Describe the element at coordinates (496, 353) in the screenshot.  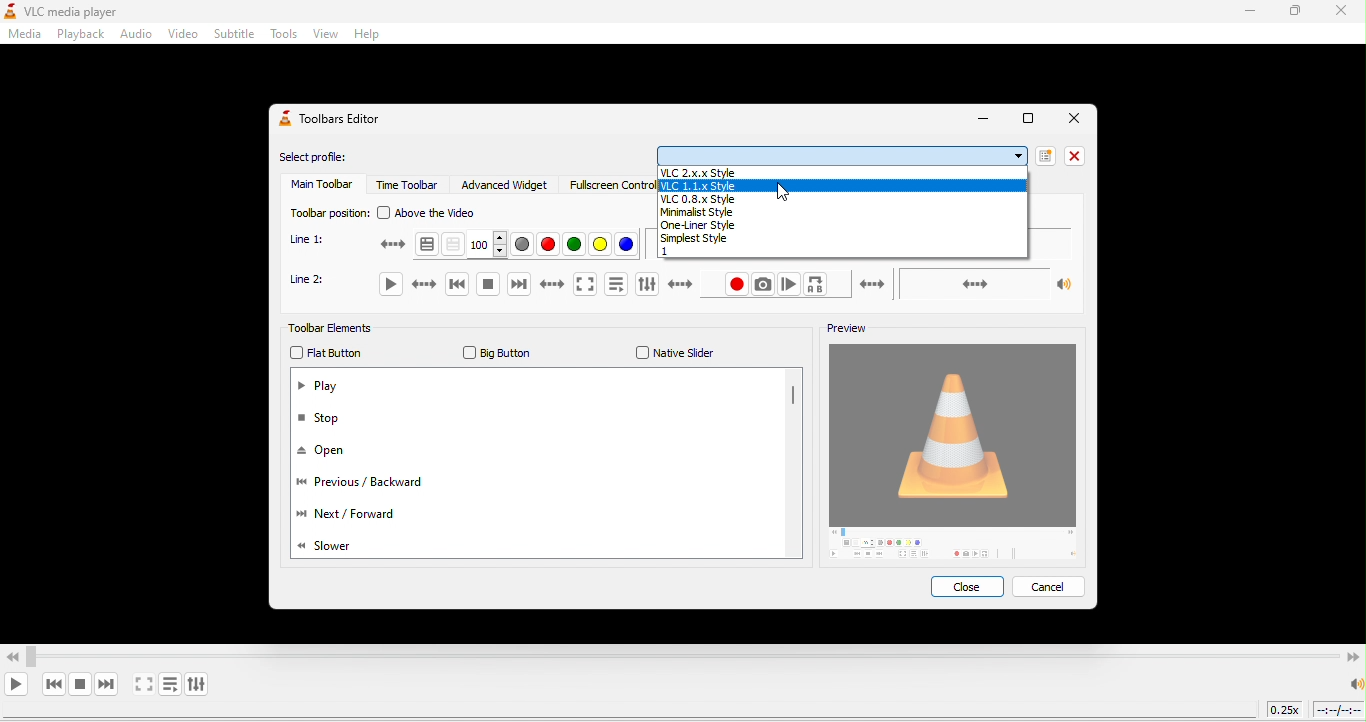
I see `big button` at that location.